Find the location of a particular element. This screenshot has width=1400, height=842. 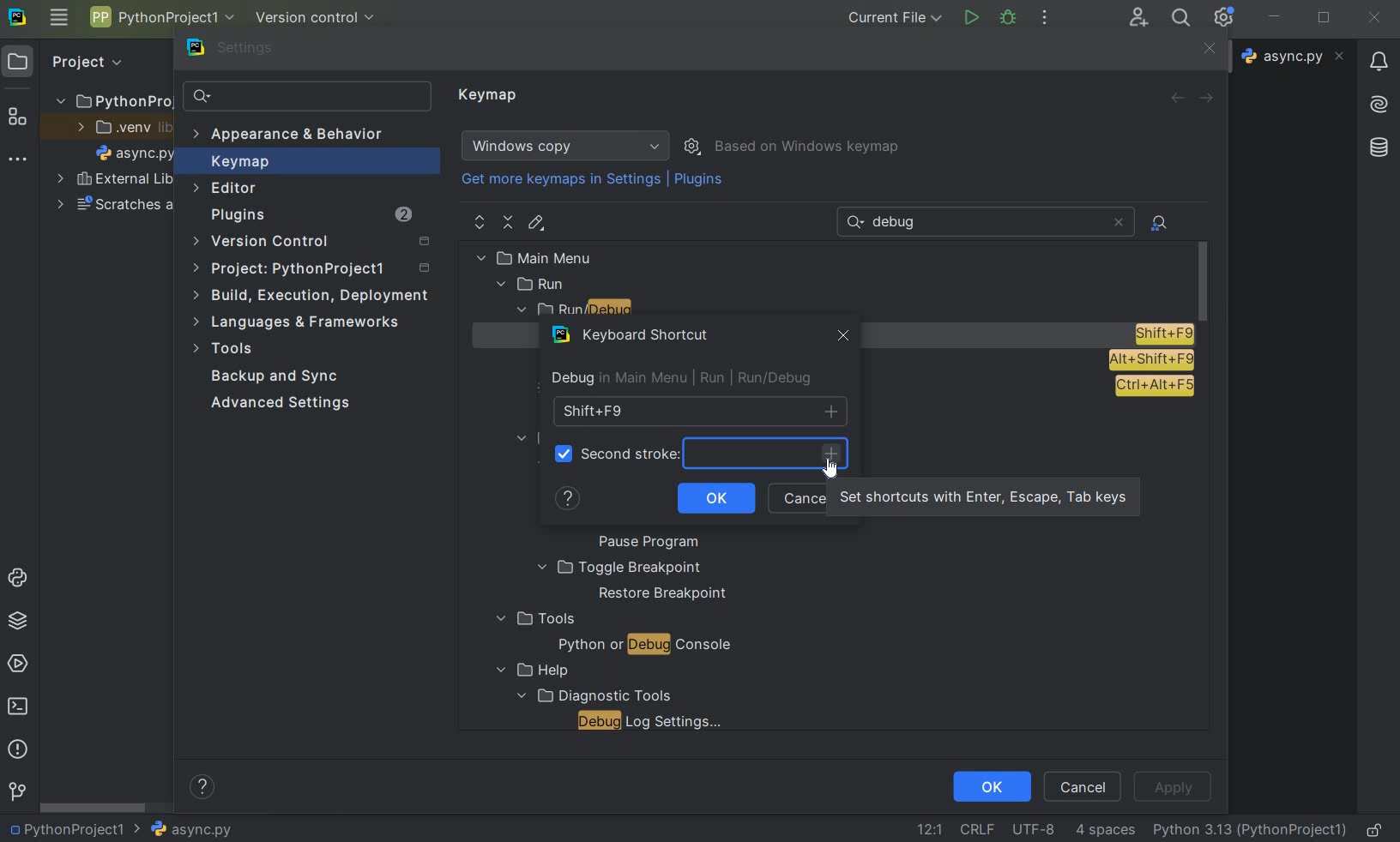

file name is located at coordinates (136, 156).